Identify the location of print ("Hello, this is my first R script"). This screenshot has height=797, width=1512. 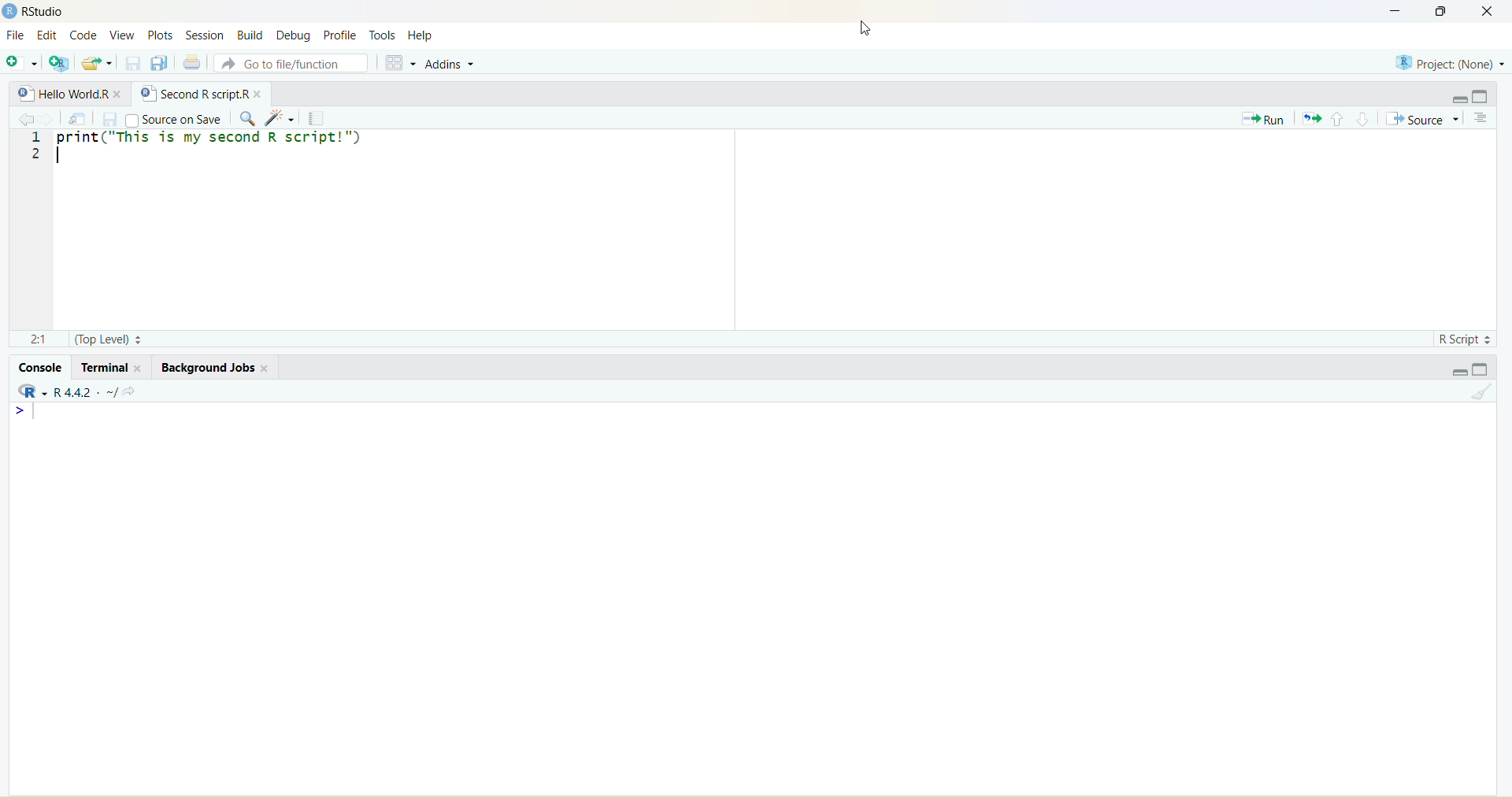
(235, 141).